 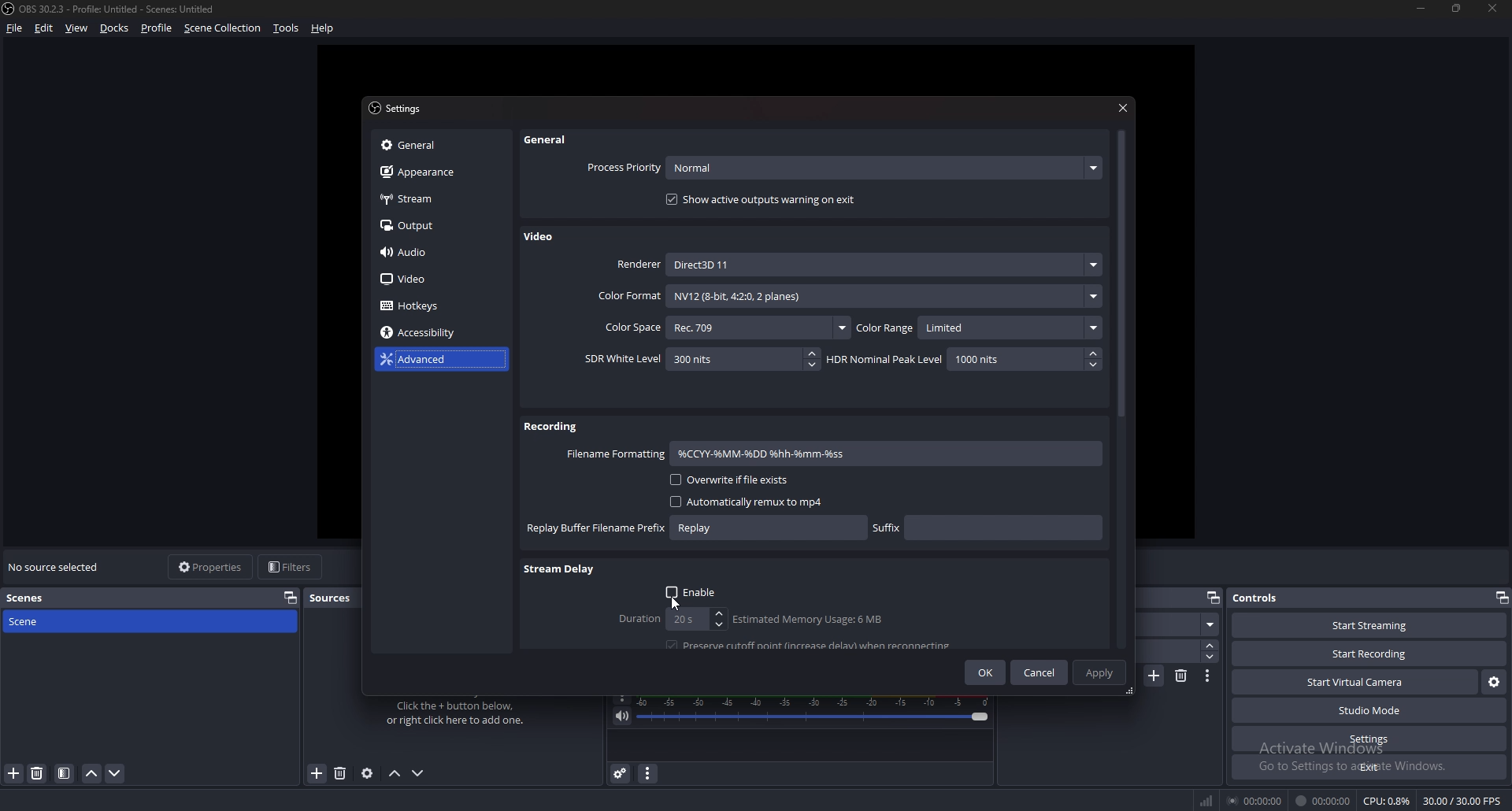 What do you see at coordinates (115, 28) in the screenshot?
I see `docks` at bounding box center [115, 28].